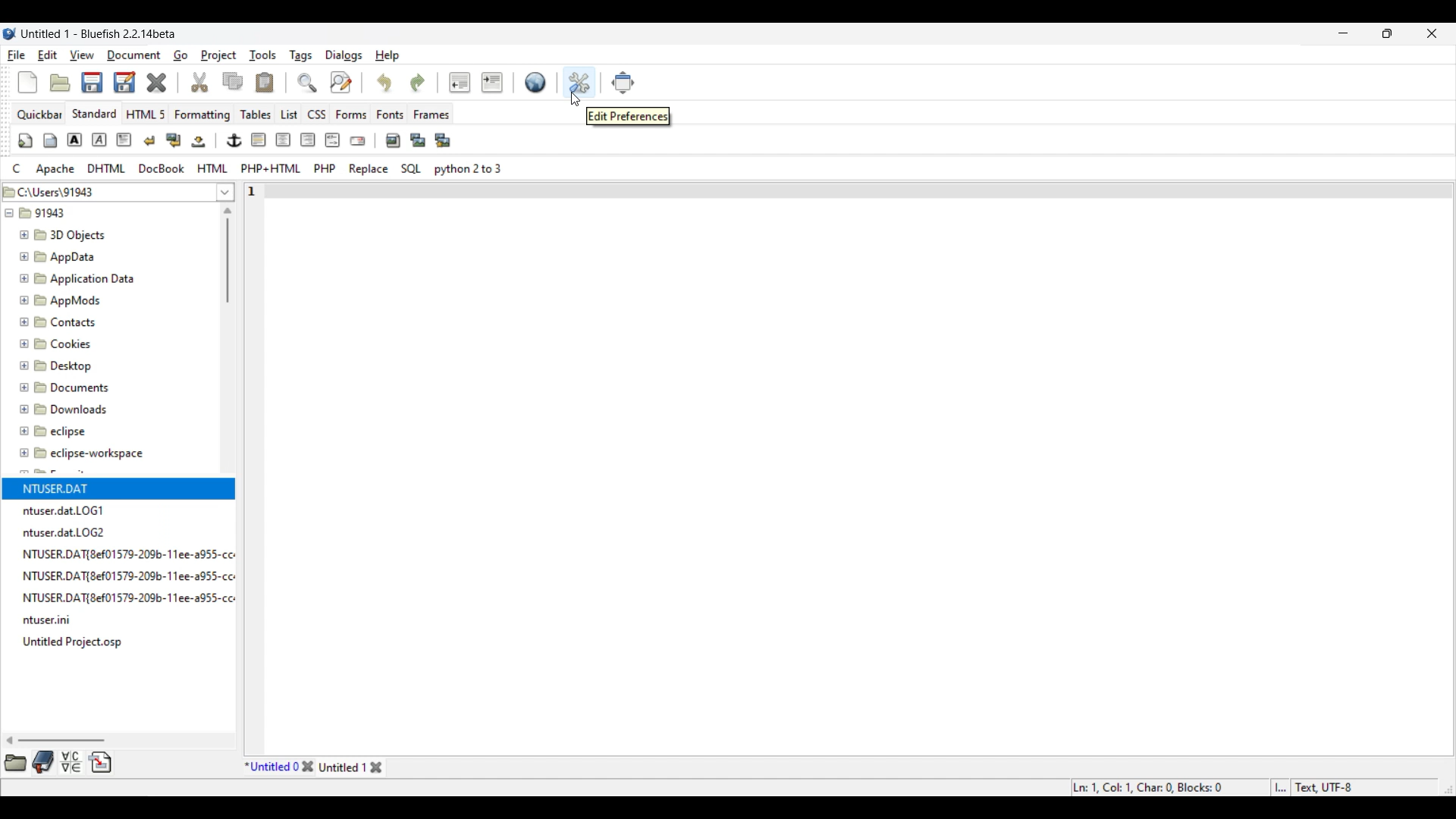  What do you see at coordinates (61, 488) in the screenshot?
I see `NTUSER.DAT` at bounding box center [61, 488].